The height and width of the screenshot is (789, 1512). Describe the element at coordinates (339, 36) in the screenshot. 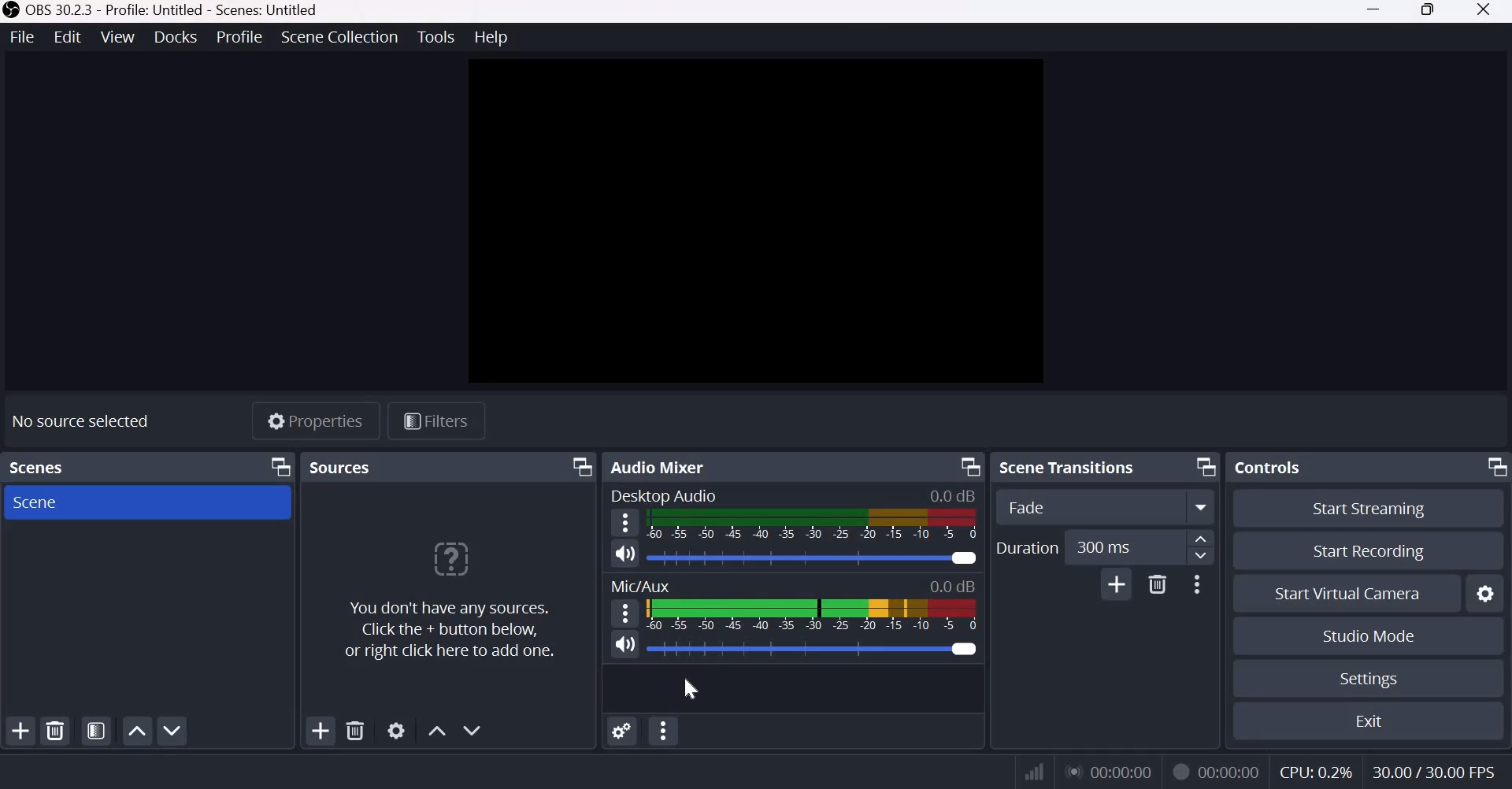

I see `Scene Collection` at that location.